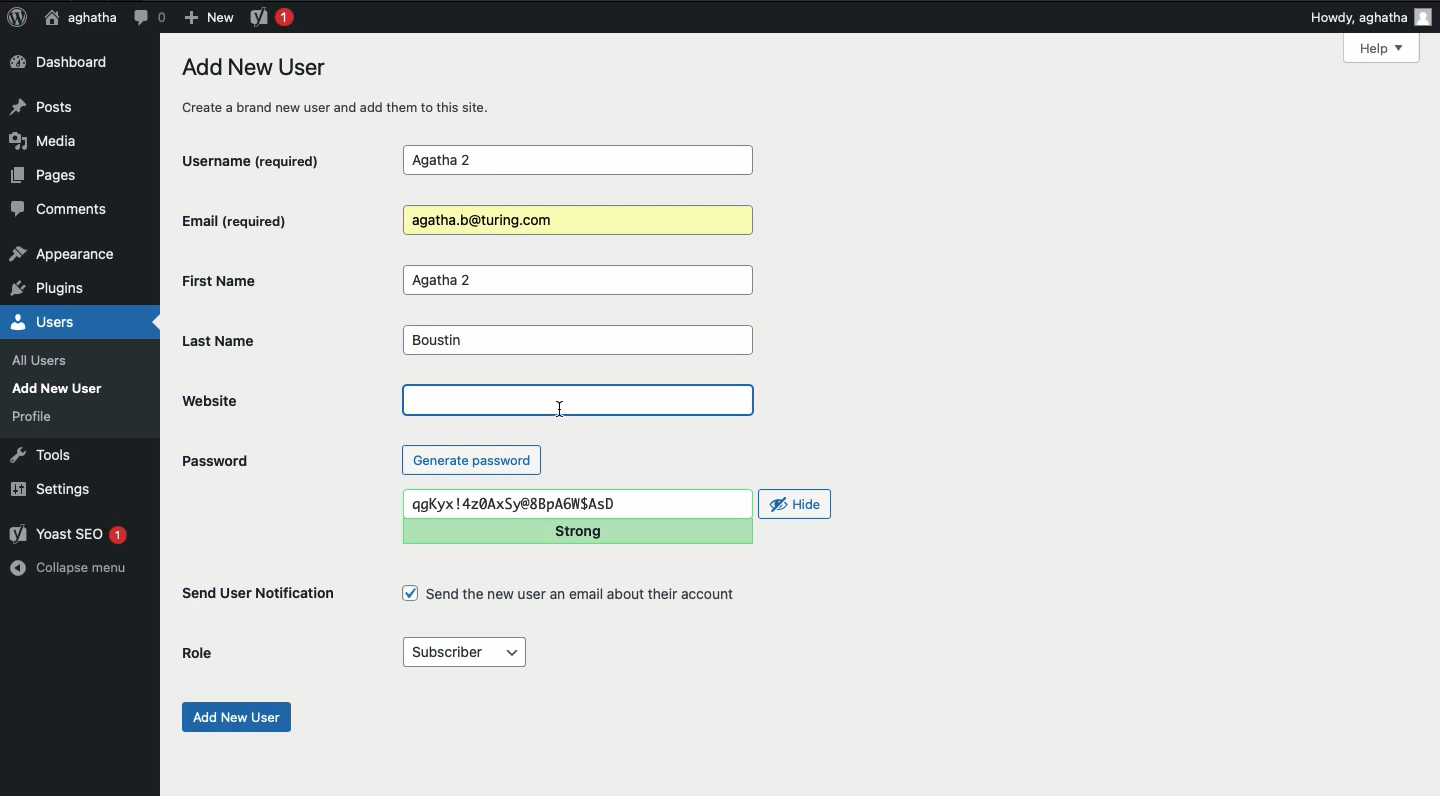 This screenshot has height=796, width=1440. Describe the element at coordinates (576, 503) in the screenshot. I see `qgKyx !4z0AxSy@8BpAGNSAsSD` at that location.